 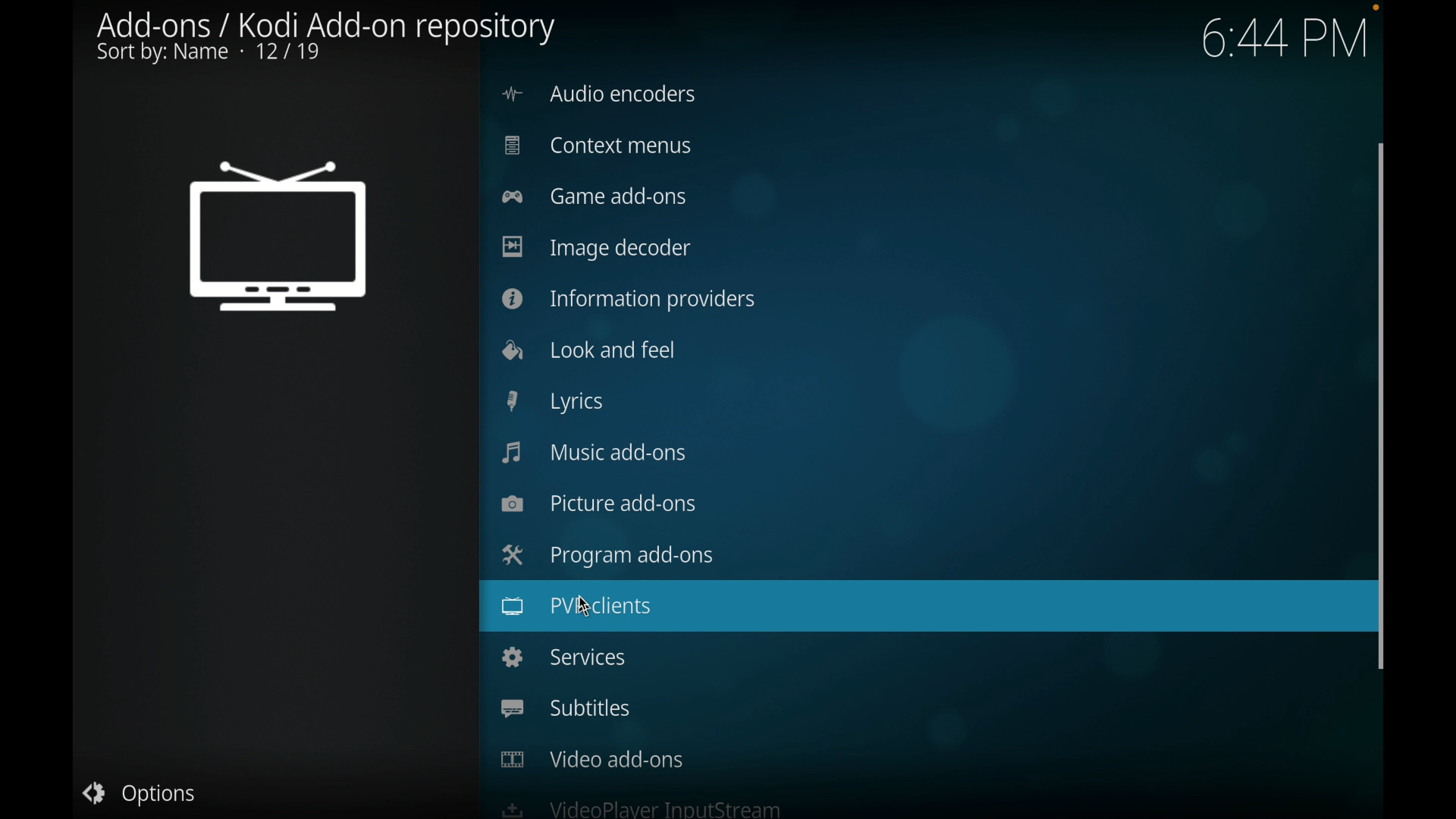 I want to click on program add-ons, so click(x=604, y=555).